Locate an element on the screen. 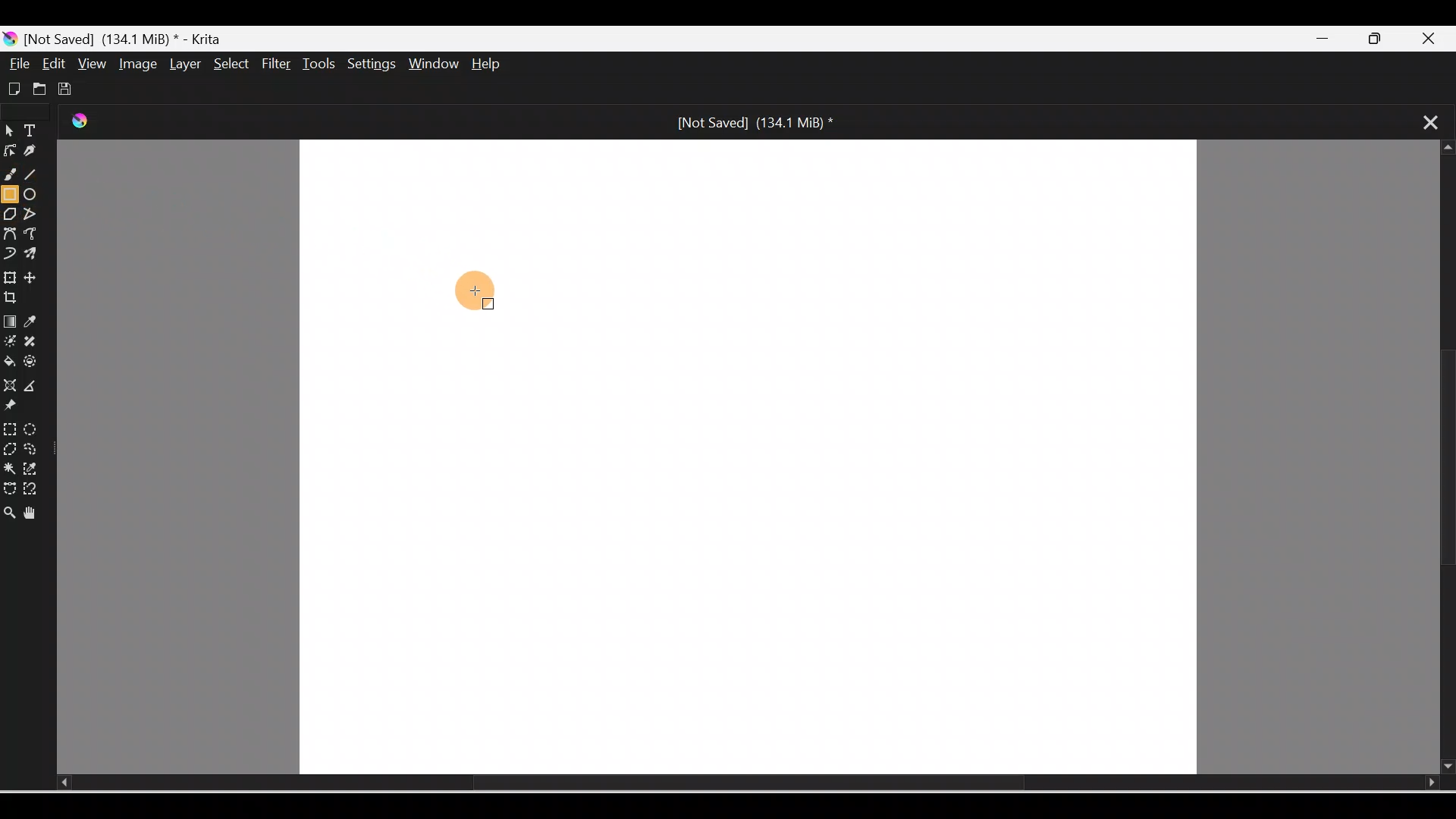 The height and width of the screenshot is (819, 1456). Colorize mask tool is located at coordinates (10, 342).